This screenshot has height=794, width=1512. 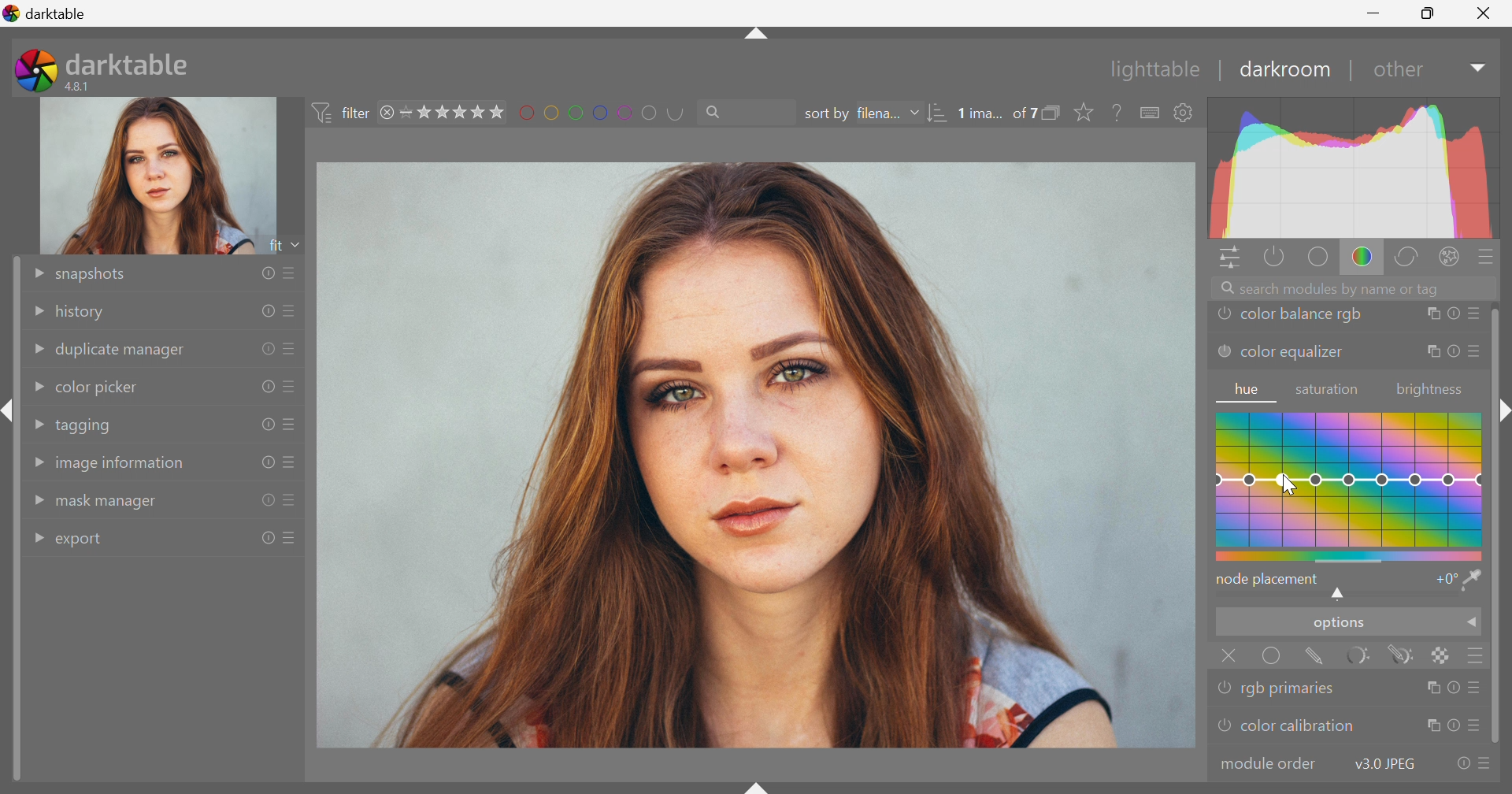 I want to click on reset, so click(x=265, y=463).